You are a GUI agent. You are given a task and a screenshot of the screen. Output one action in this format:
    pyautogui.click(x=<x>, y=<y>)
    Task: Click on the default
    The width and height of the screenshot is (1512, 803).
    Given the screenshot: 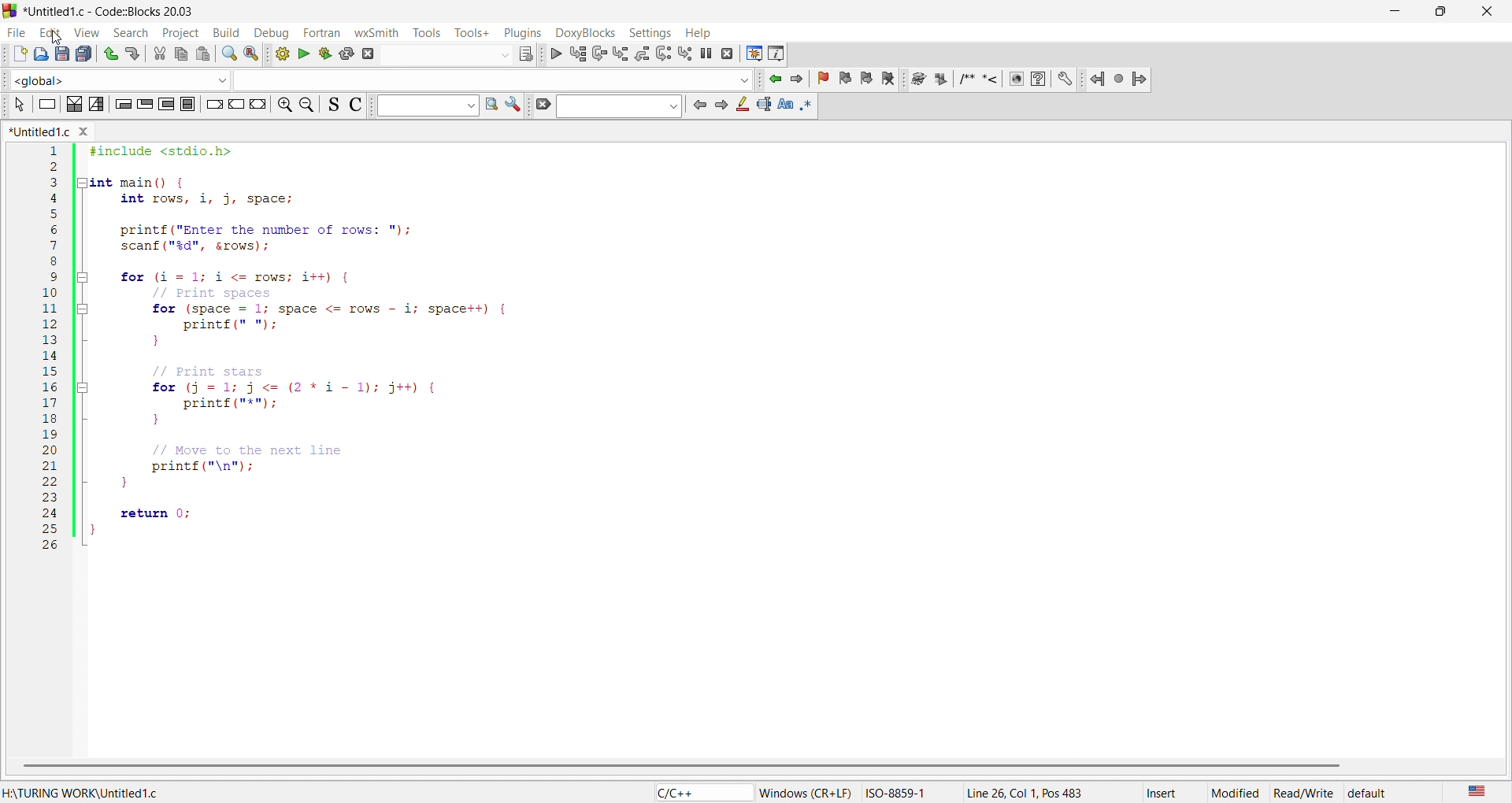 What is the action you would take?
    pyautogui.click(x=1386, y=790)
    